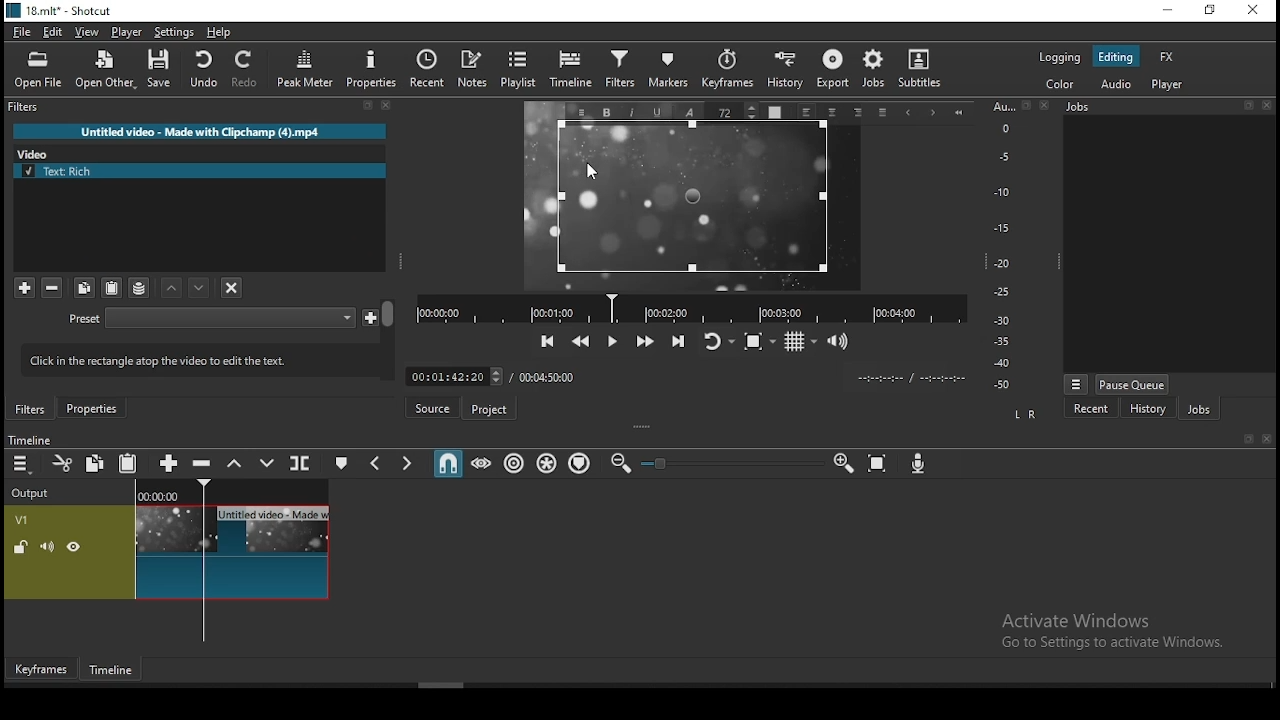 The height and width of the screenshot is (720, 1280). What do you see at coordinates (1092, 408) in the screenshot?
I see `recent` at bounding box center [1092, 408].